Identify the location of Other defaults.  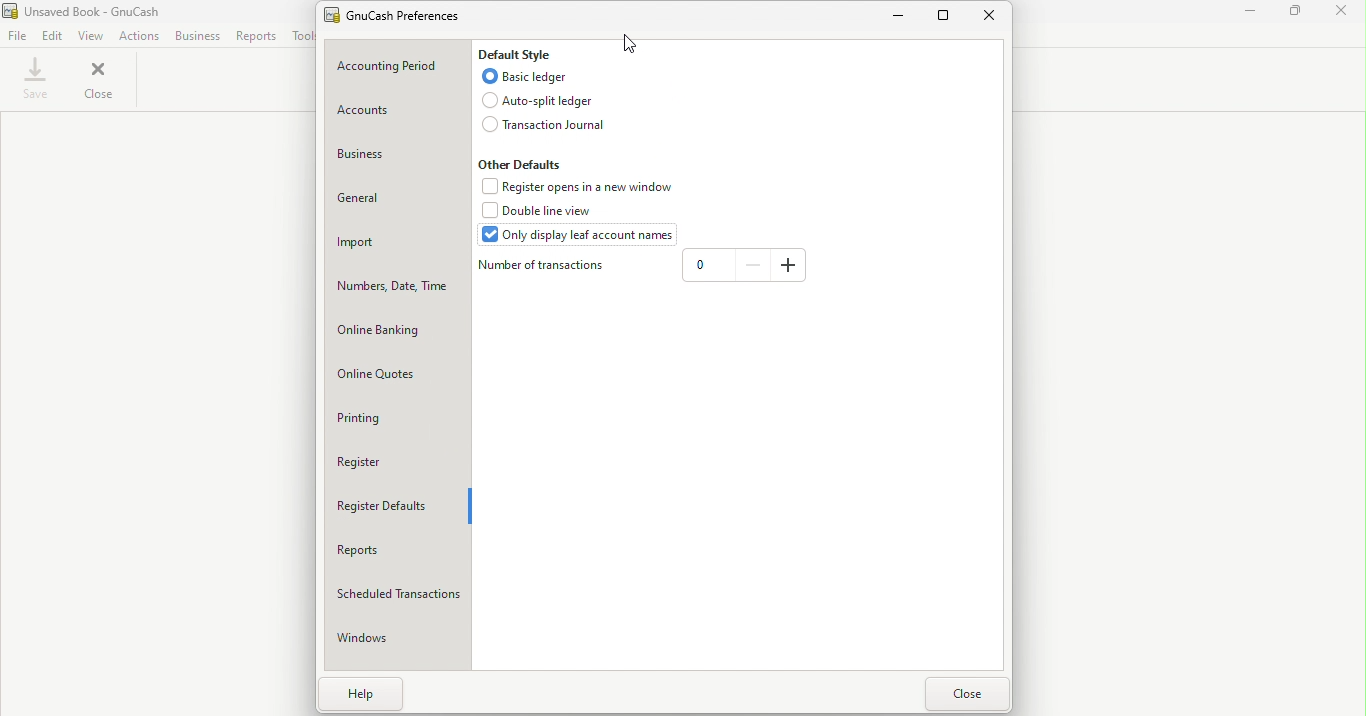
(523, 164).